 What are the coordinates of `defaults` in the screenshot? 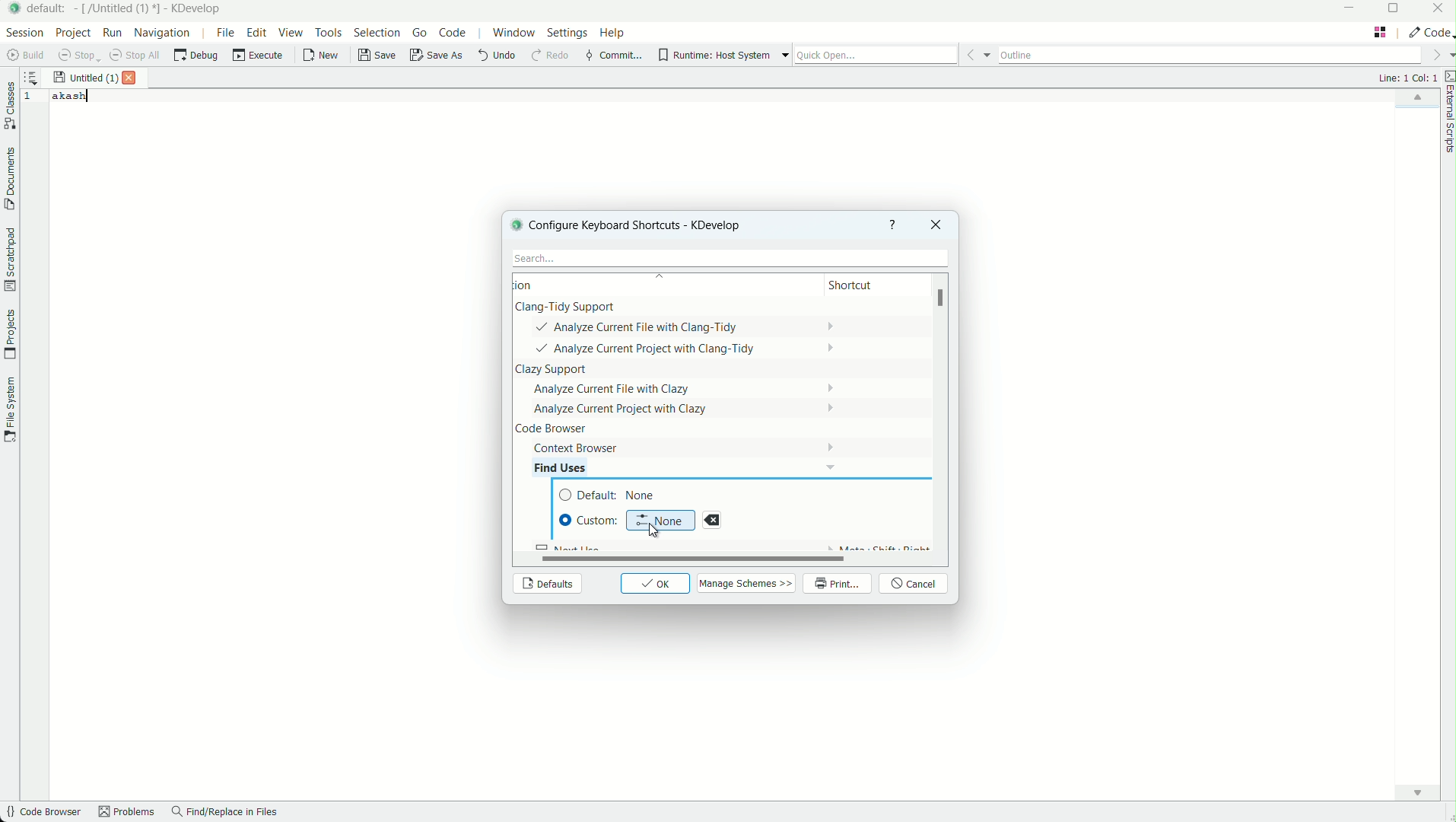 It's located at (546, 585).